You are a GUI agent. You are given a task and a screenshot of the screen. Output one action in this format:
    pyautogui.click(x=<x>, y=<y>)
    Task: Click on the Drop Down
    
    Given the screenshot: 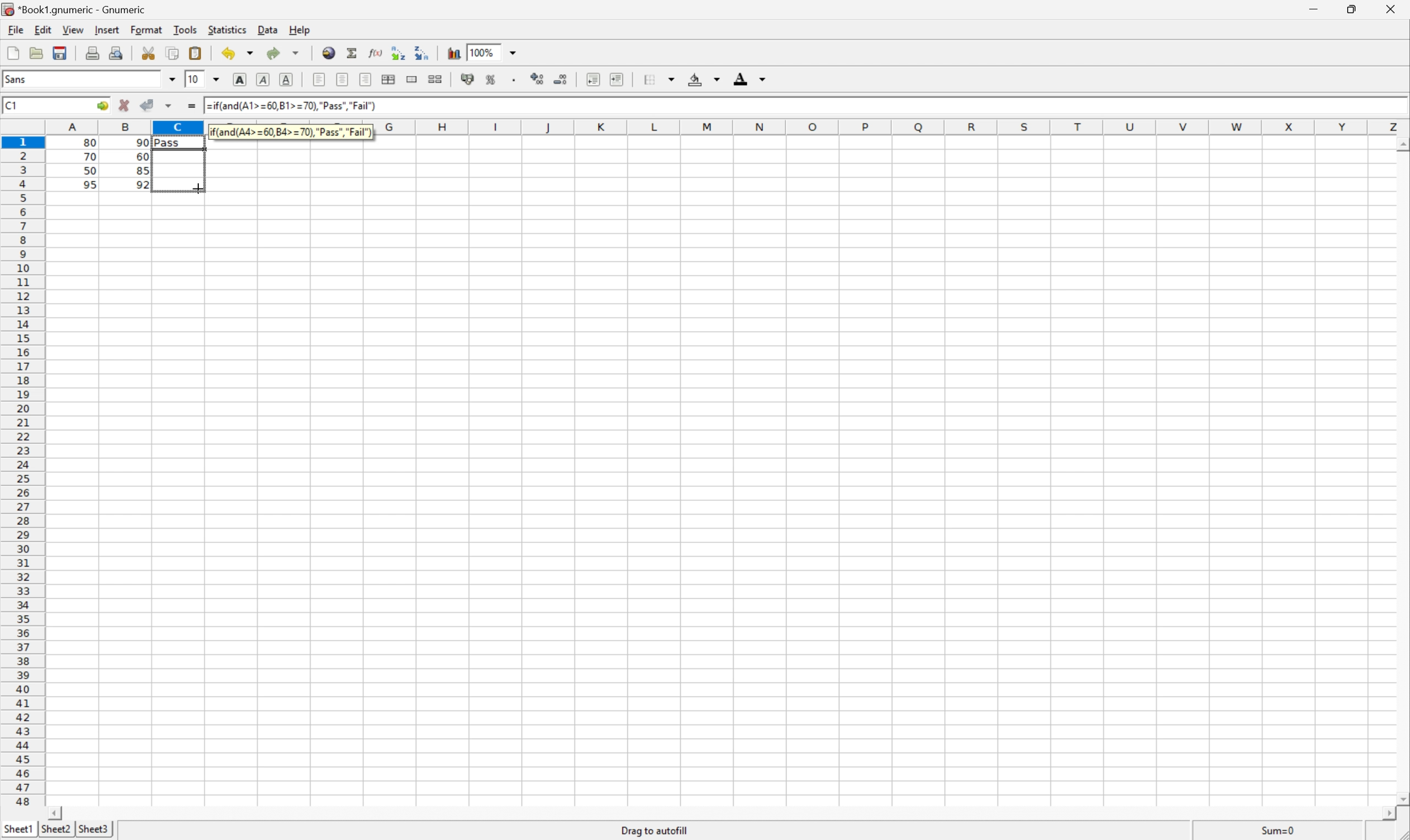 What is the action you would take?
    pyautogui.click(x=296, y=50)
    